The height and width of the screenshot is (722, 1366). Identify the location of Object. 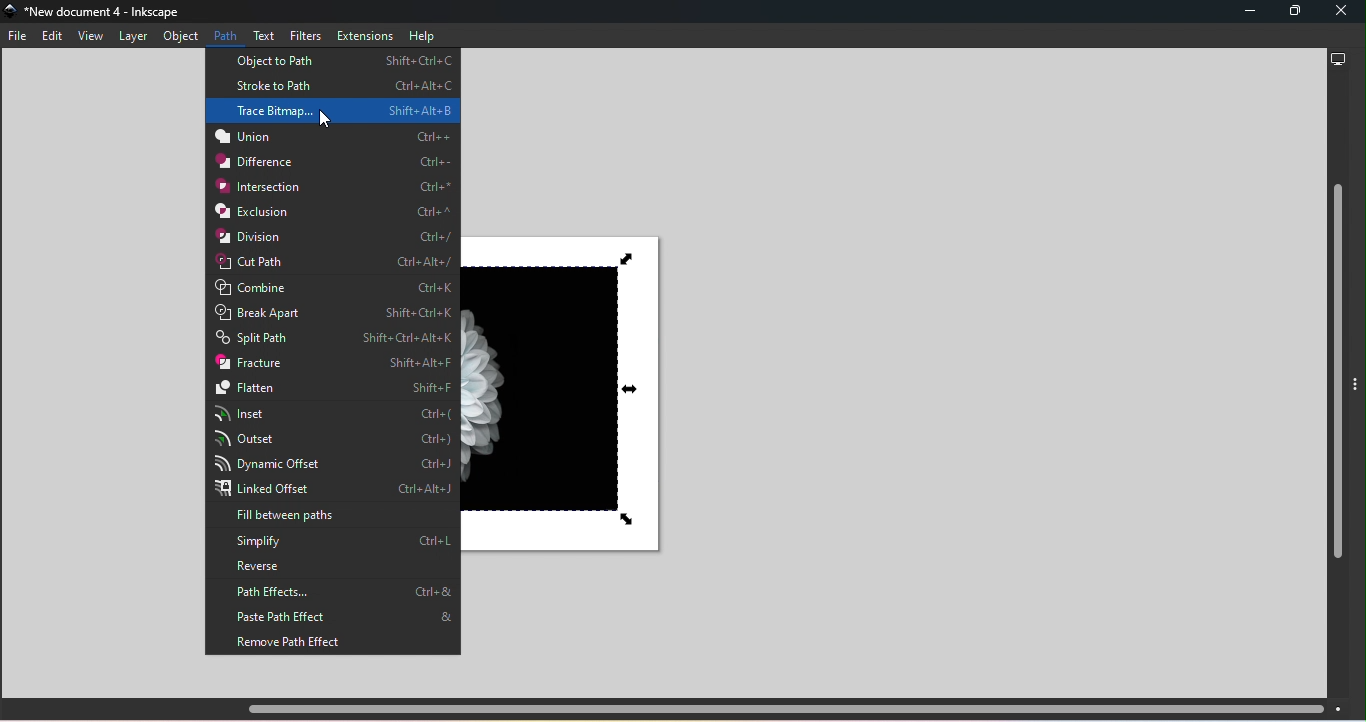
(183, 38).